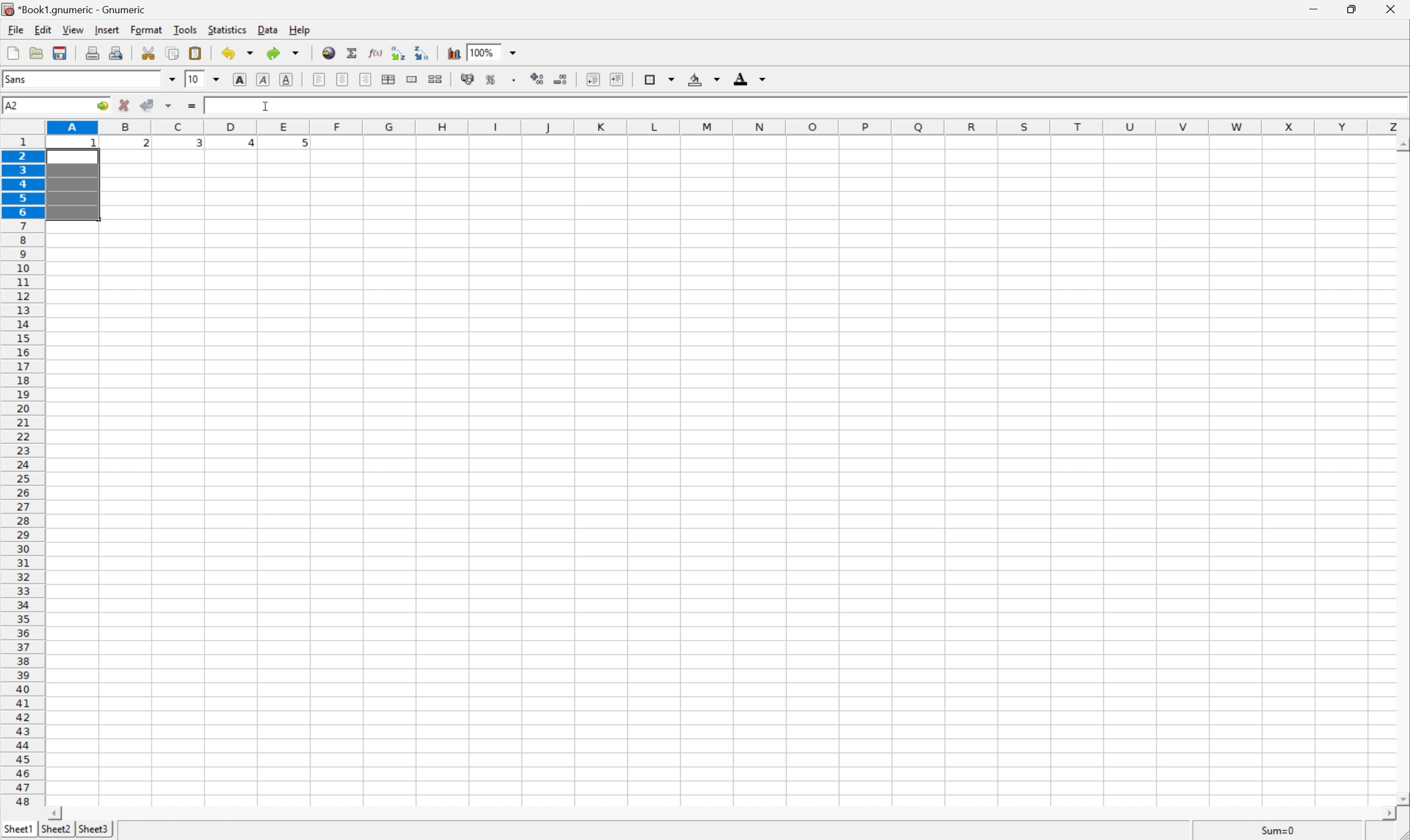 This screenshot has width=1410, height=840. What do you see at coordinates (1319, 10) in the screenshot?
I see `minimize` at bounding box center [1319, 10].